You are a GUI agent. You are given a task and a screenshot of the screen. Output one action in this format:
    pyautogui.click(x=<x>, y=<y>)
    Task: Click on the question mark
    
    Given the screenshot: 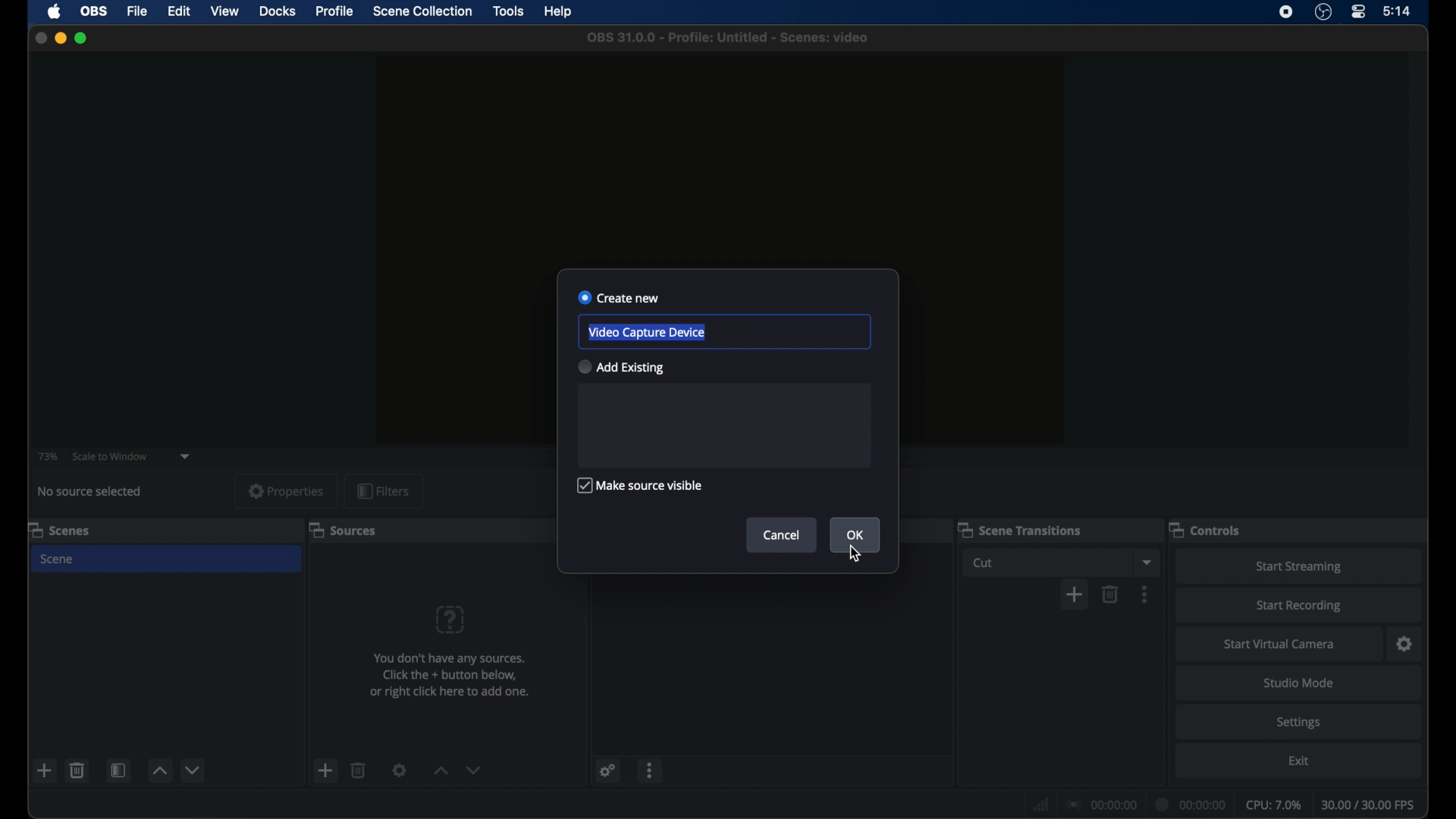 What is the action you would take?
    pyautogui.click(x=451, y=619)
    